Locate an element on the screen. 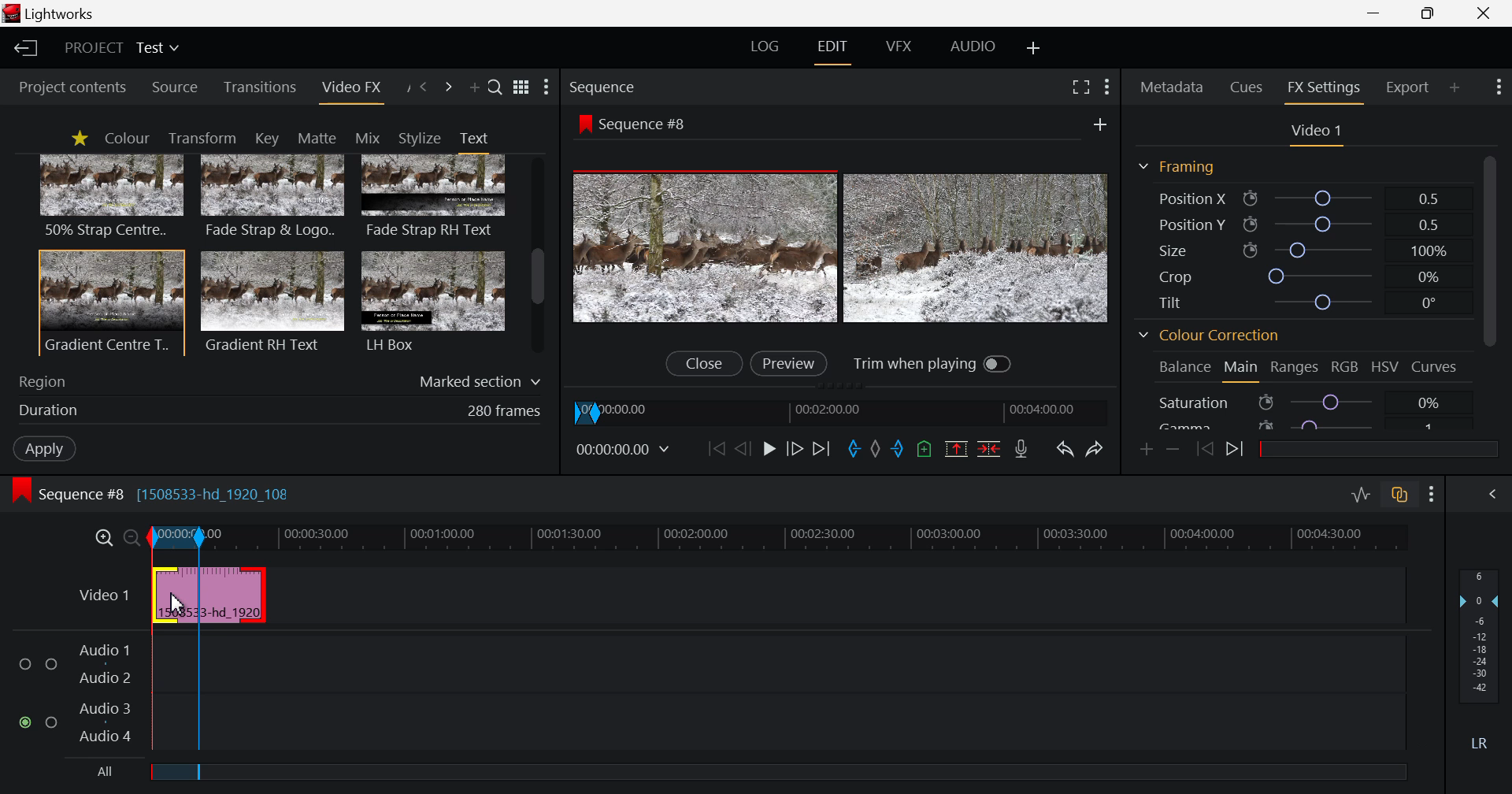  Mark In is located at coordinates (851, 447).